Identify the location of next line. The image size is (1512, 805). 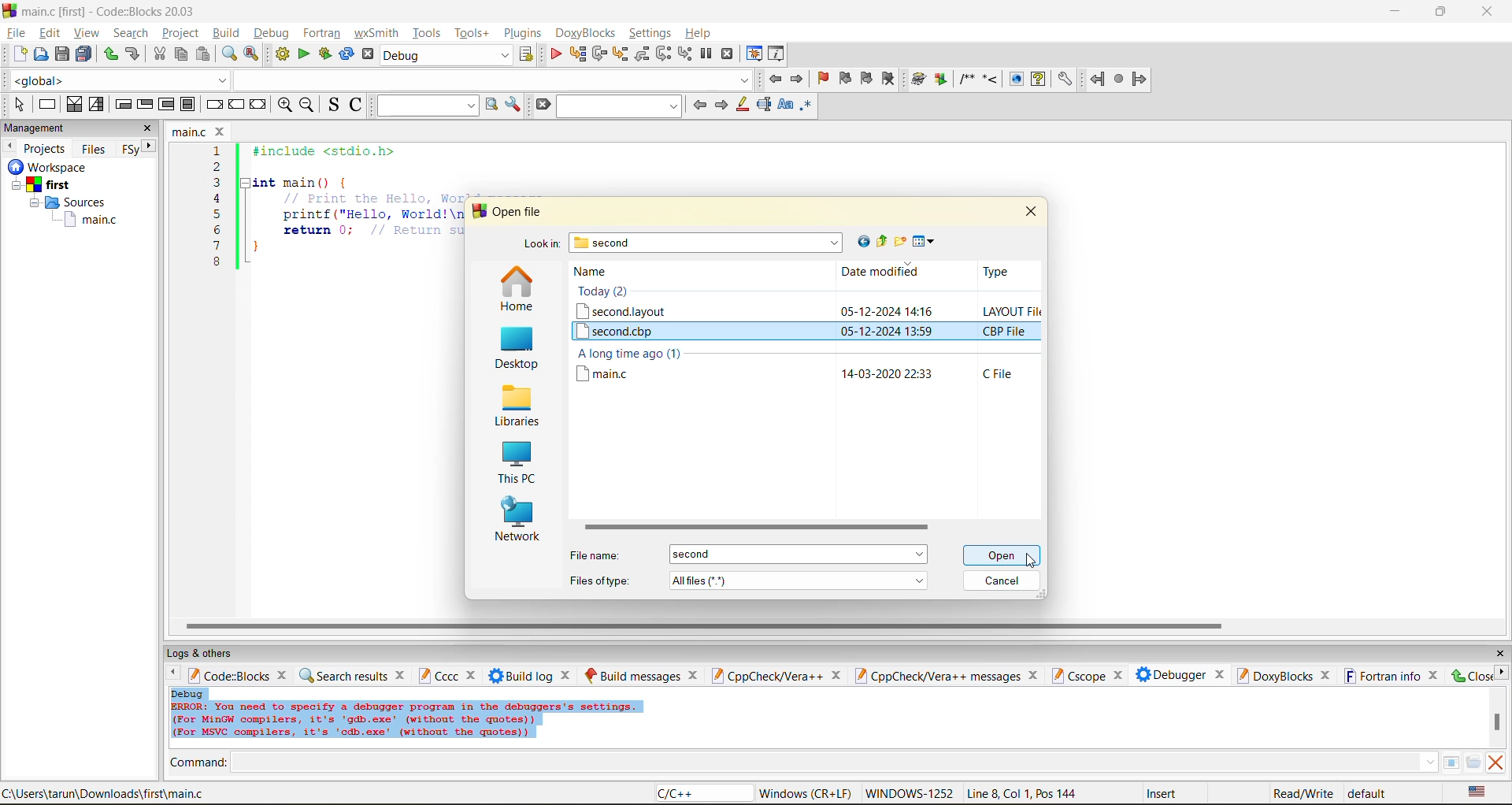
(598, 54).